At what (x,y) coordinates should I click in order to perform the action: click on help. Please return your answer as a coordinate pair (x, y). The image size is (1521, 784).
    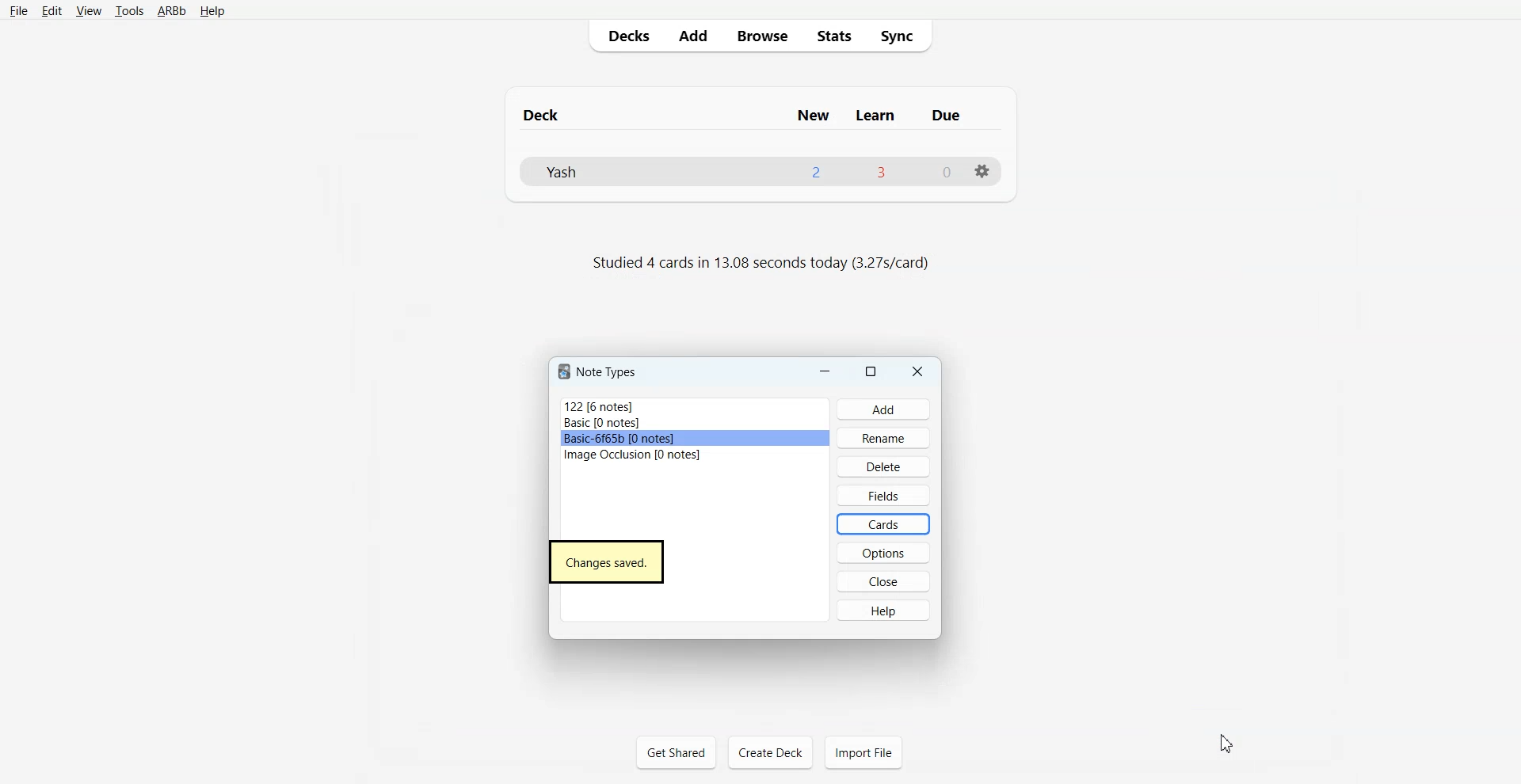
    Looking at the image, I should click on (887, 614).